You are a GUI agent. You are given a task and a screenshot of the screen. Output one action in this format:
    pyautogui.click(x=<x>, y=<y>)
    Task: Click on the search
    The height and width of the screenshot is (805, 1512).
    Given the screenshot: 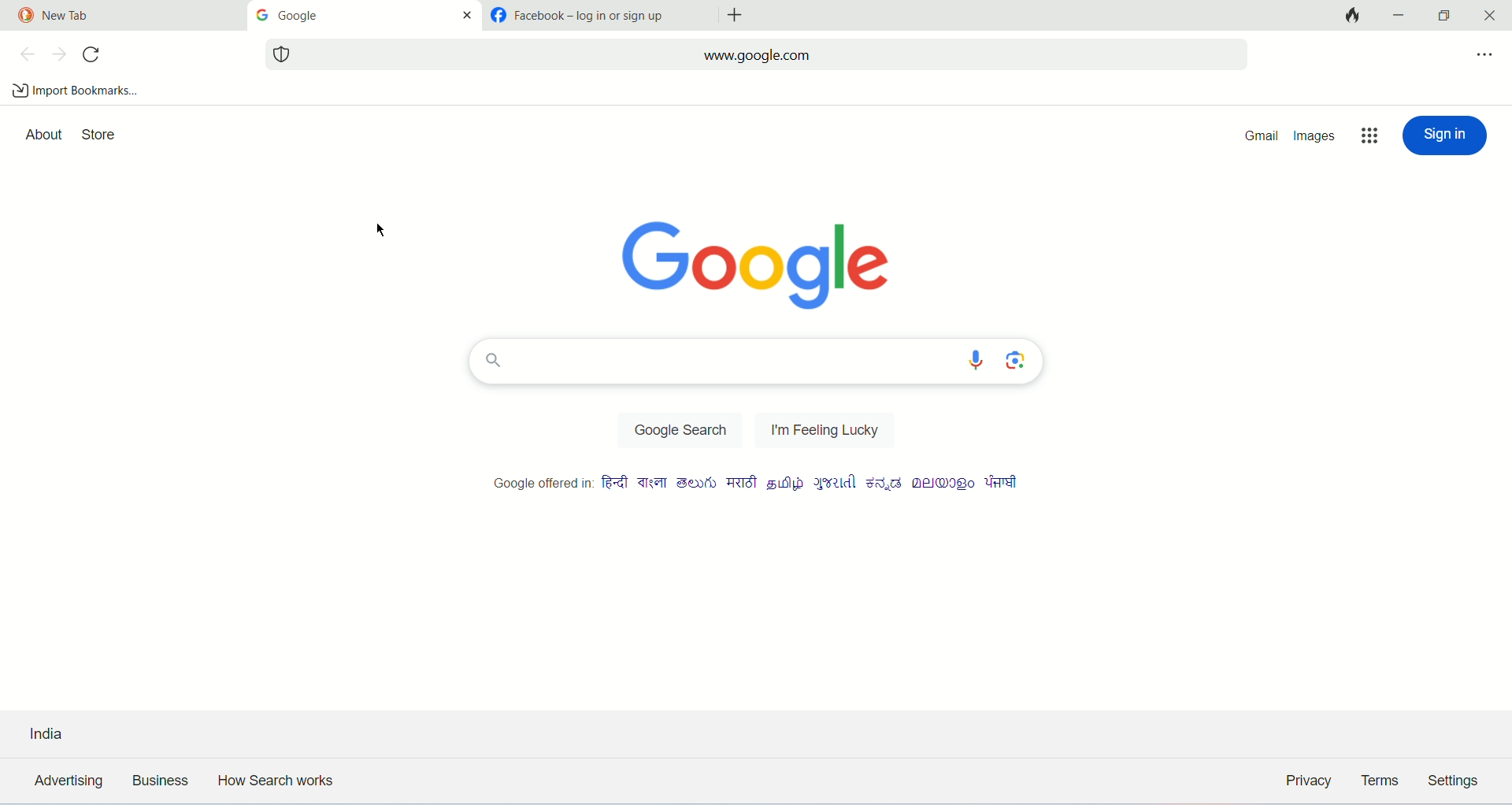 What is the action you would take?
    pyautogui.click(x=754, y=361)
    